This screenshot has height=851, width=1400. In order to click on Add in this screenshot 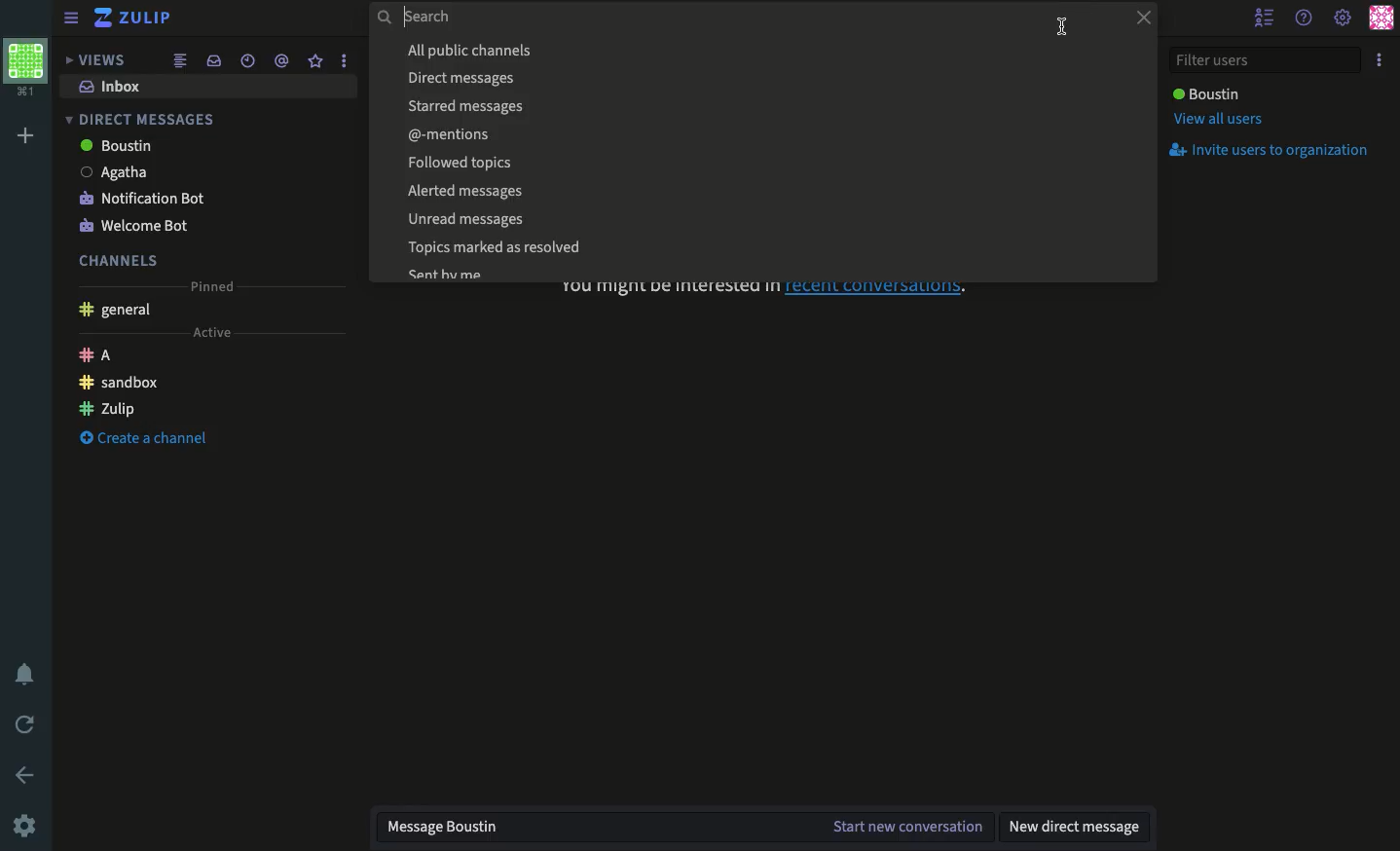, I will do `click(24, 136)`.